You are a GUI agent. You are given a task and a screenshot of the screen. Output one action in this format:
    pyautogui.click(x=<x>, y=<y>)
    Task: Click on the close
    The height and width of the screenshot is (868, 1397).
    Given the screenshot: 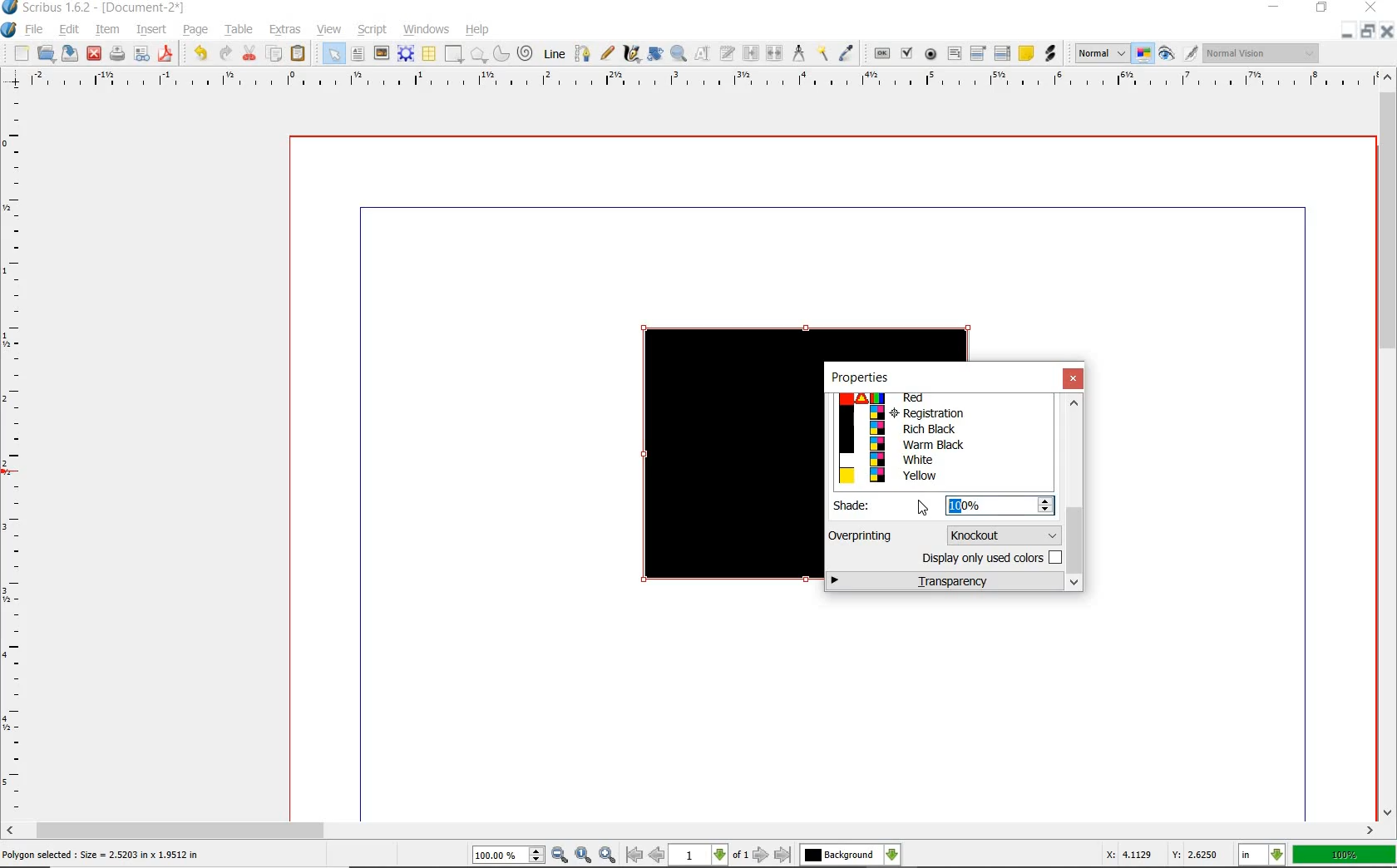 What is the action you would take?
    pyautogui.click(x=1074, y=379)
    